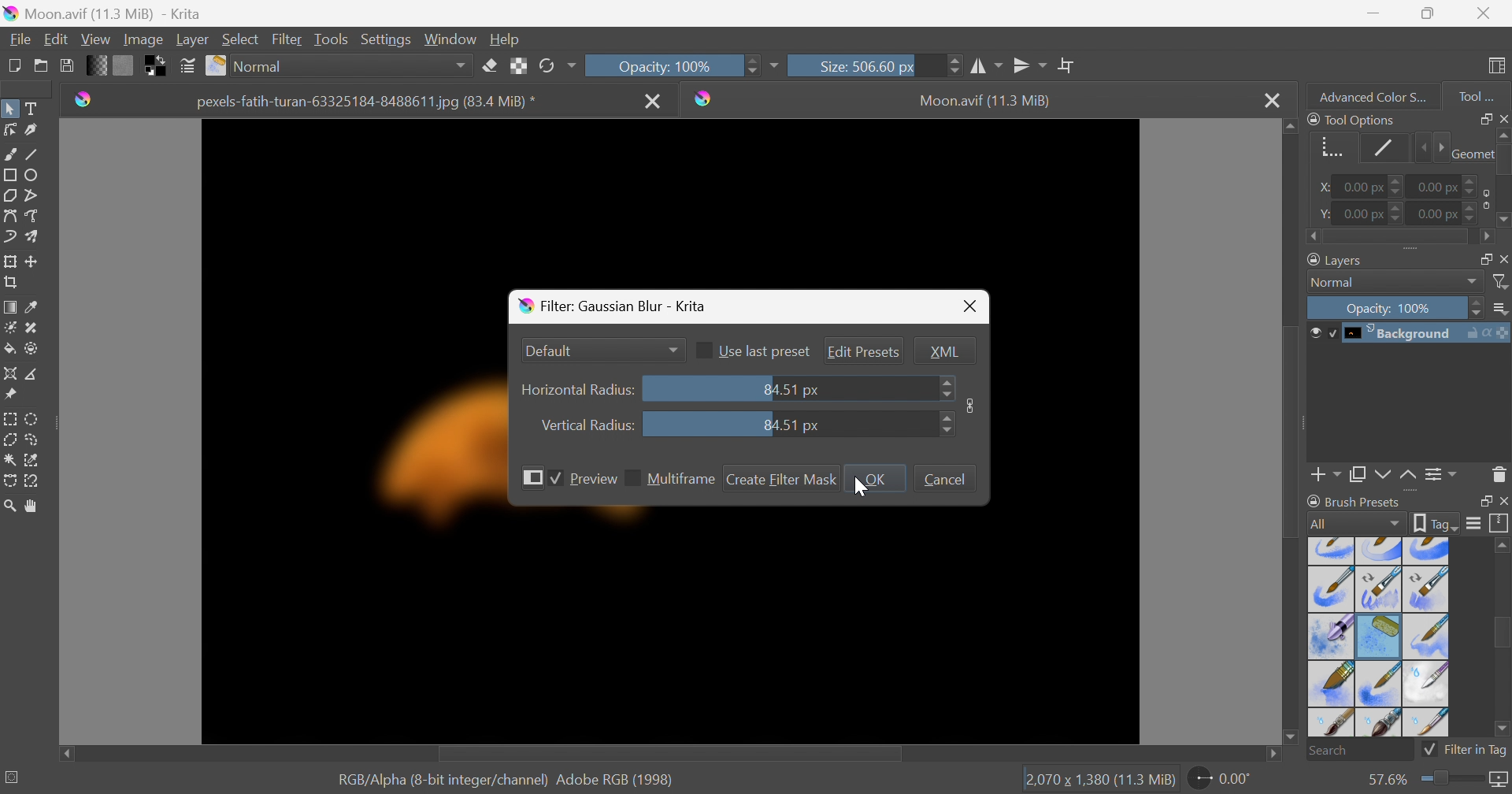 The height and width of the screenshot is (794, 1512). What do you see at coordinates (557, 480) in the screenshot?
I see `Checkbox` at bounding box center [557, 480].